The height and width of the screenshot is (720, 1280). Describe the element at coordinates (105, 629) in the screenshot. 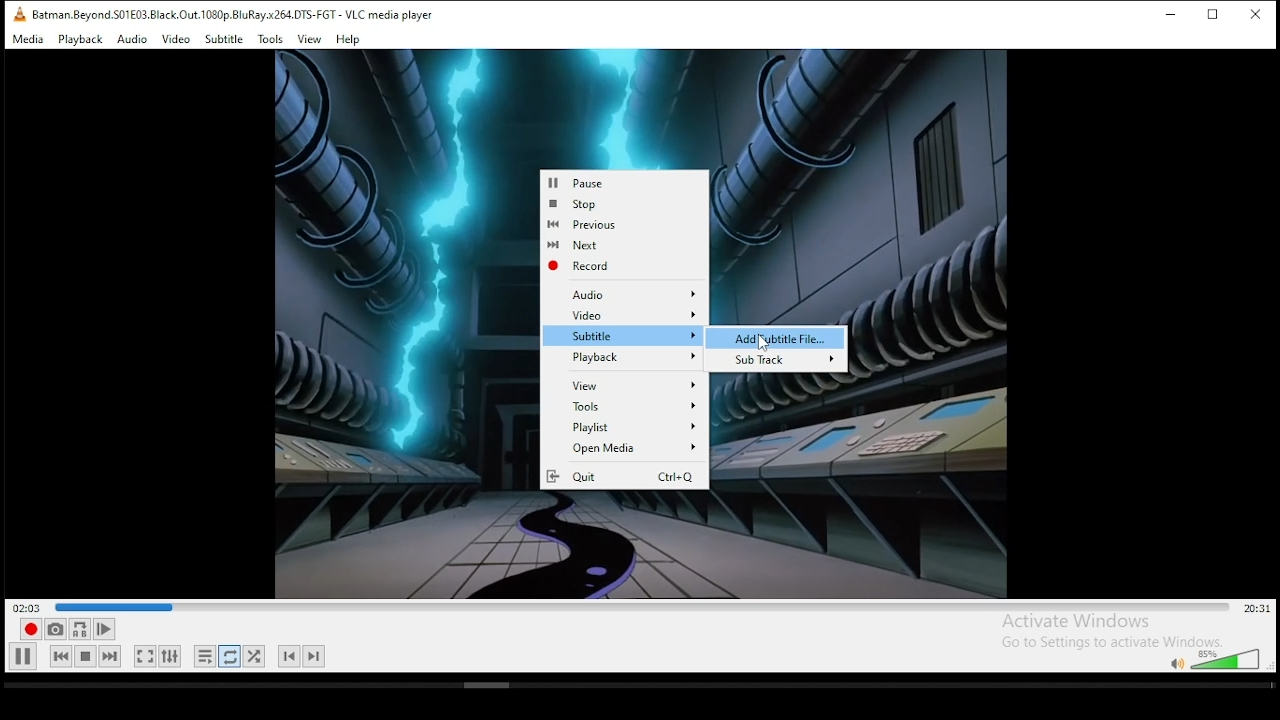

I see `frame by frame` at that location.